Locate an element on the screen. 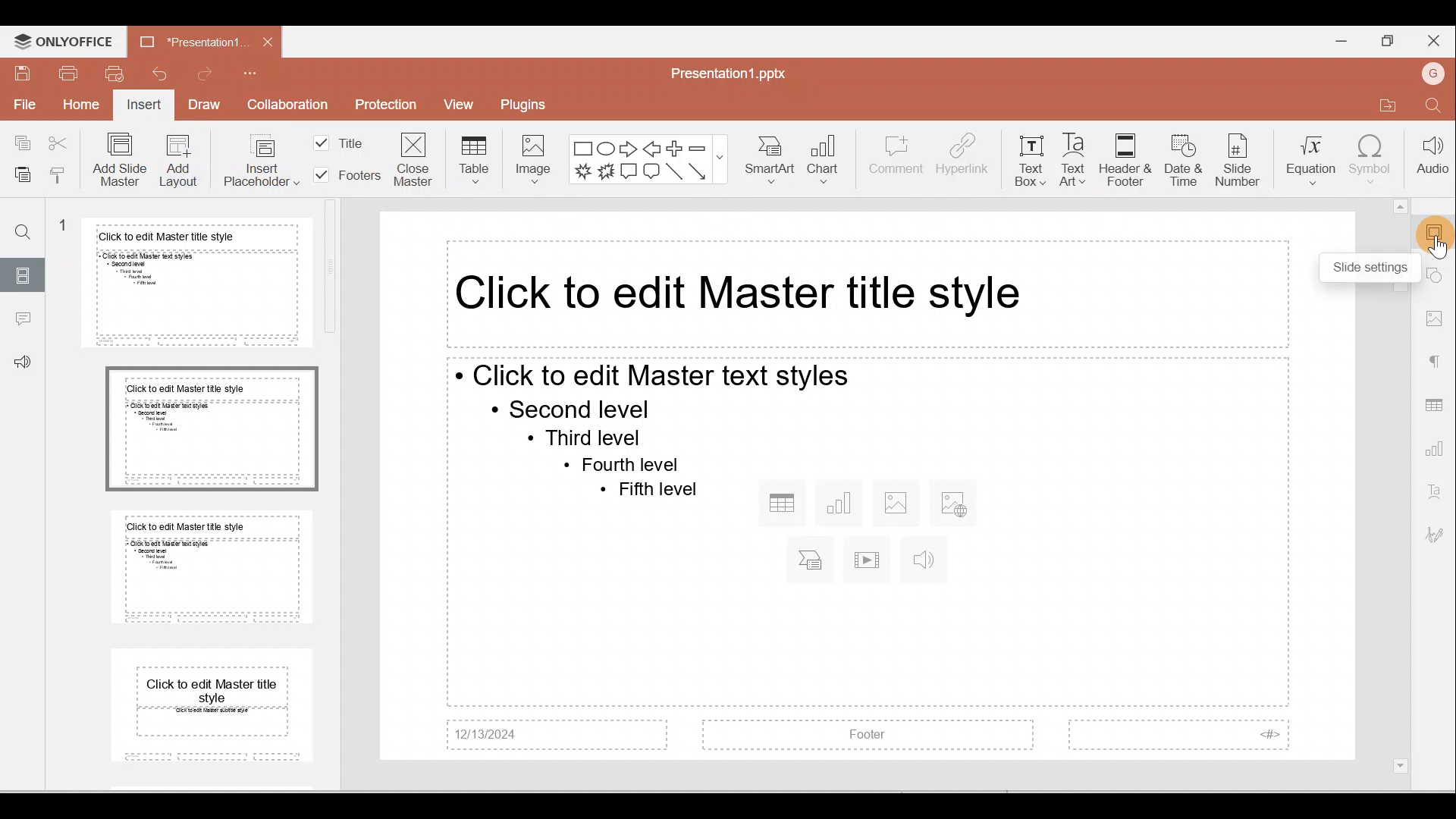  Protection is located at coordinates (387, 106).